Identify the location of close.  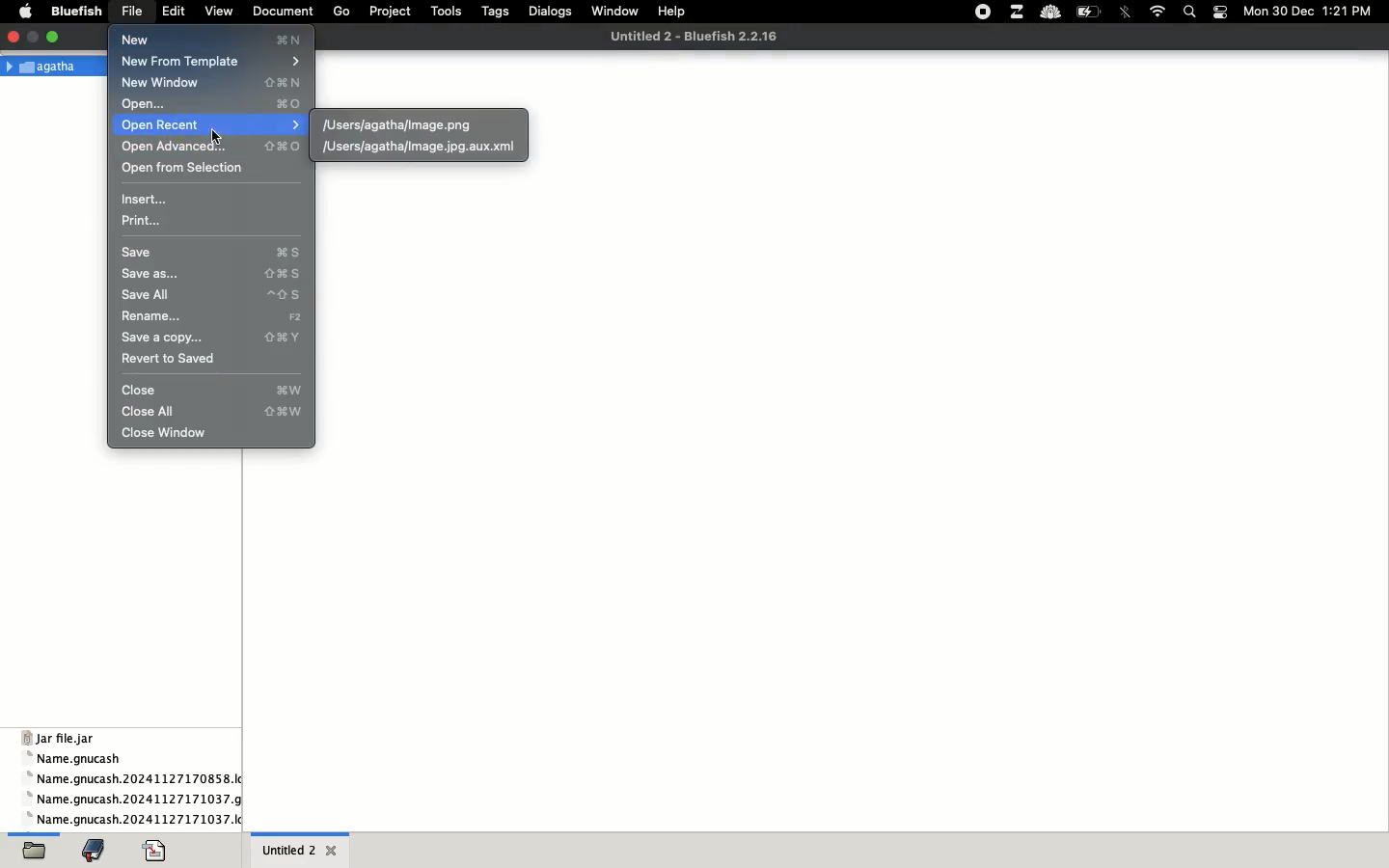
(333, 851).